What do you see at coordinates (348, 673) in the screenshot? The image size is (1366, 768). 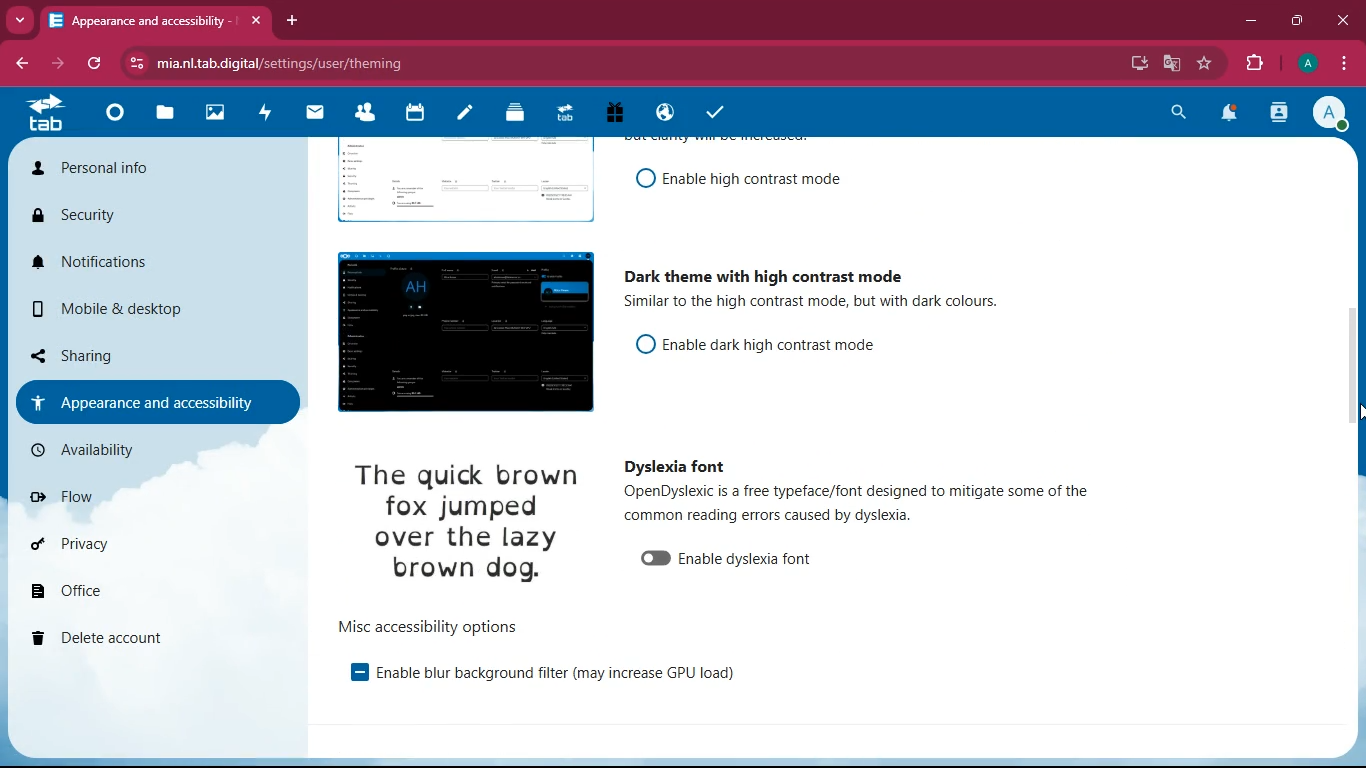 I see `enable` at bounding box center [348, 673].